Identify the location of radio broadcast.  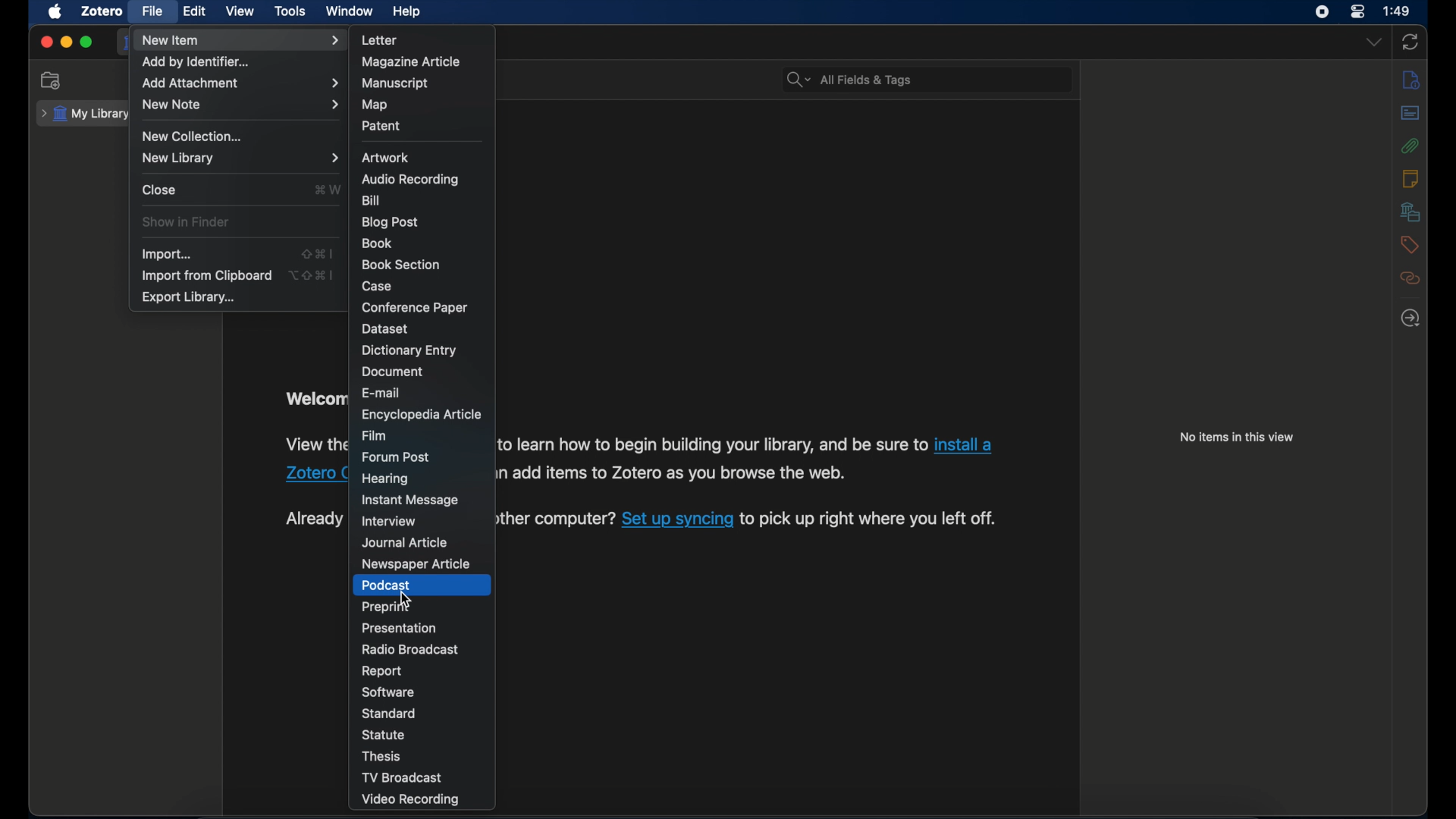
(409, 649).